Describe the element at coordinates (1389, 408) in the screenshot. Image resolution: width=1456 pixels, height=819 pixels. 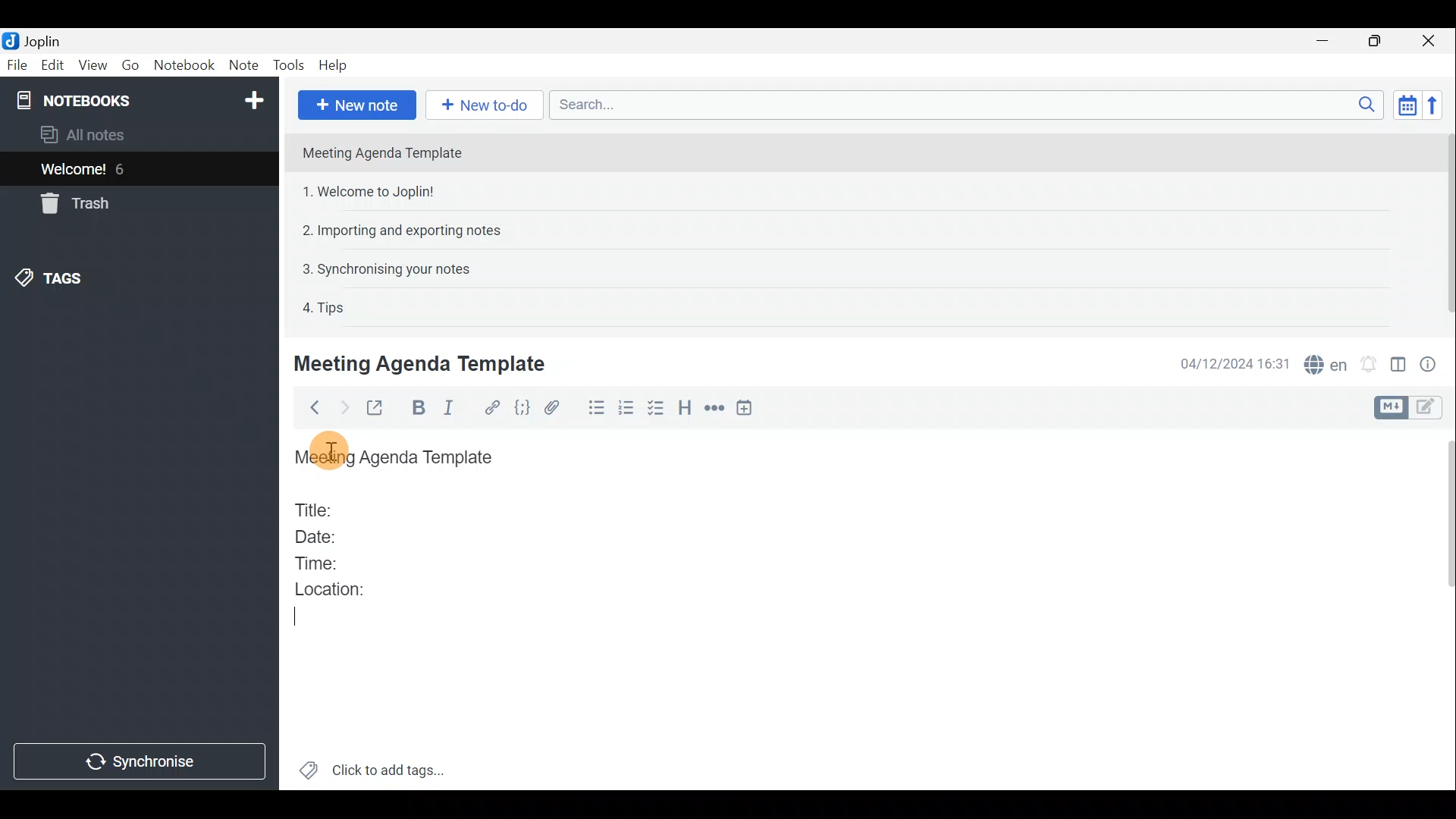
I see `Toggle editors` at that location.